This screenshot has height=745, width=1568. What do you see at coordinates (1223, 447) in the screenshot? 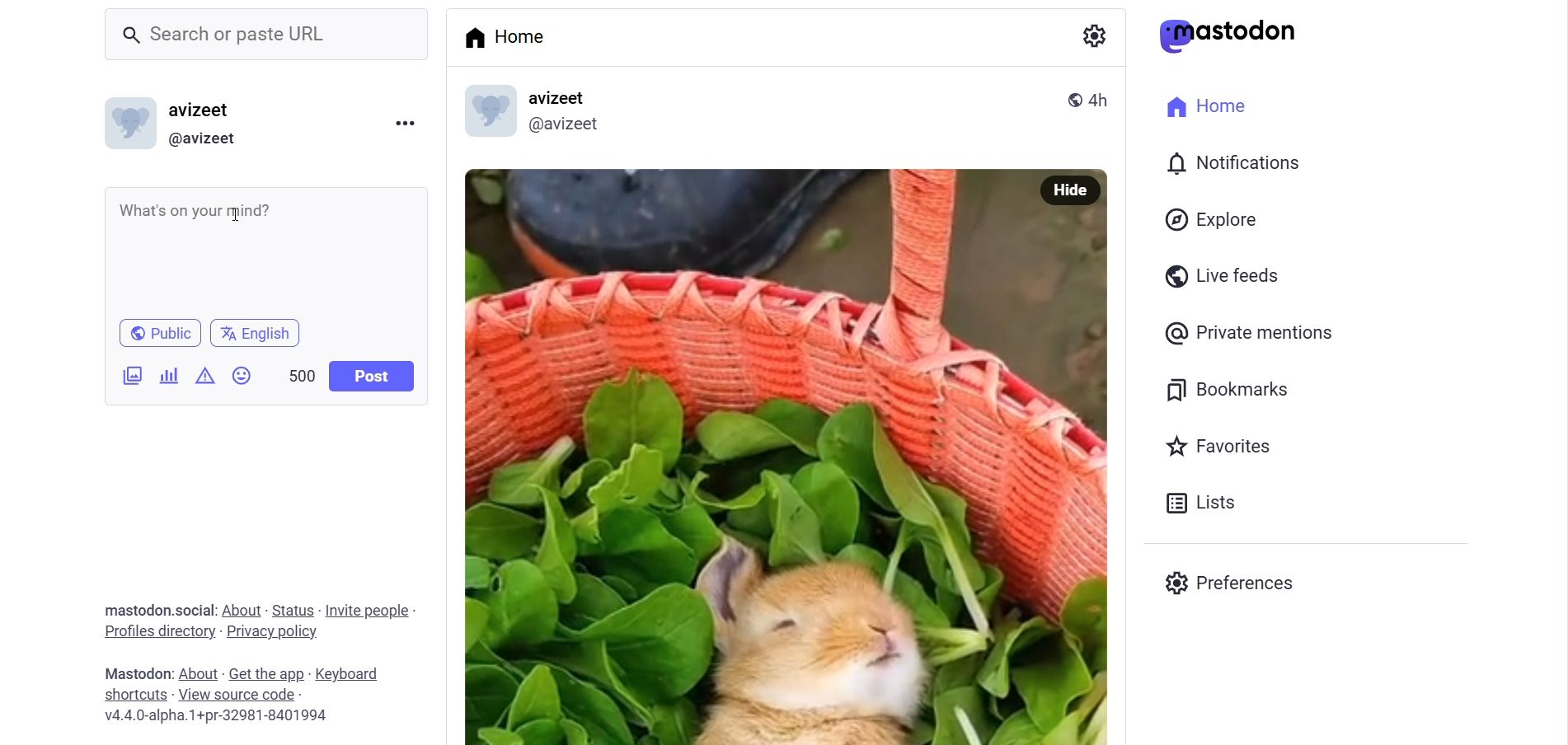
I see `Favorites` at bounding box center [1223, 447].